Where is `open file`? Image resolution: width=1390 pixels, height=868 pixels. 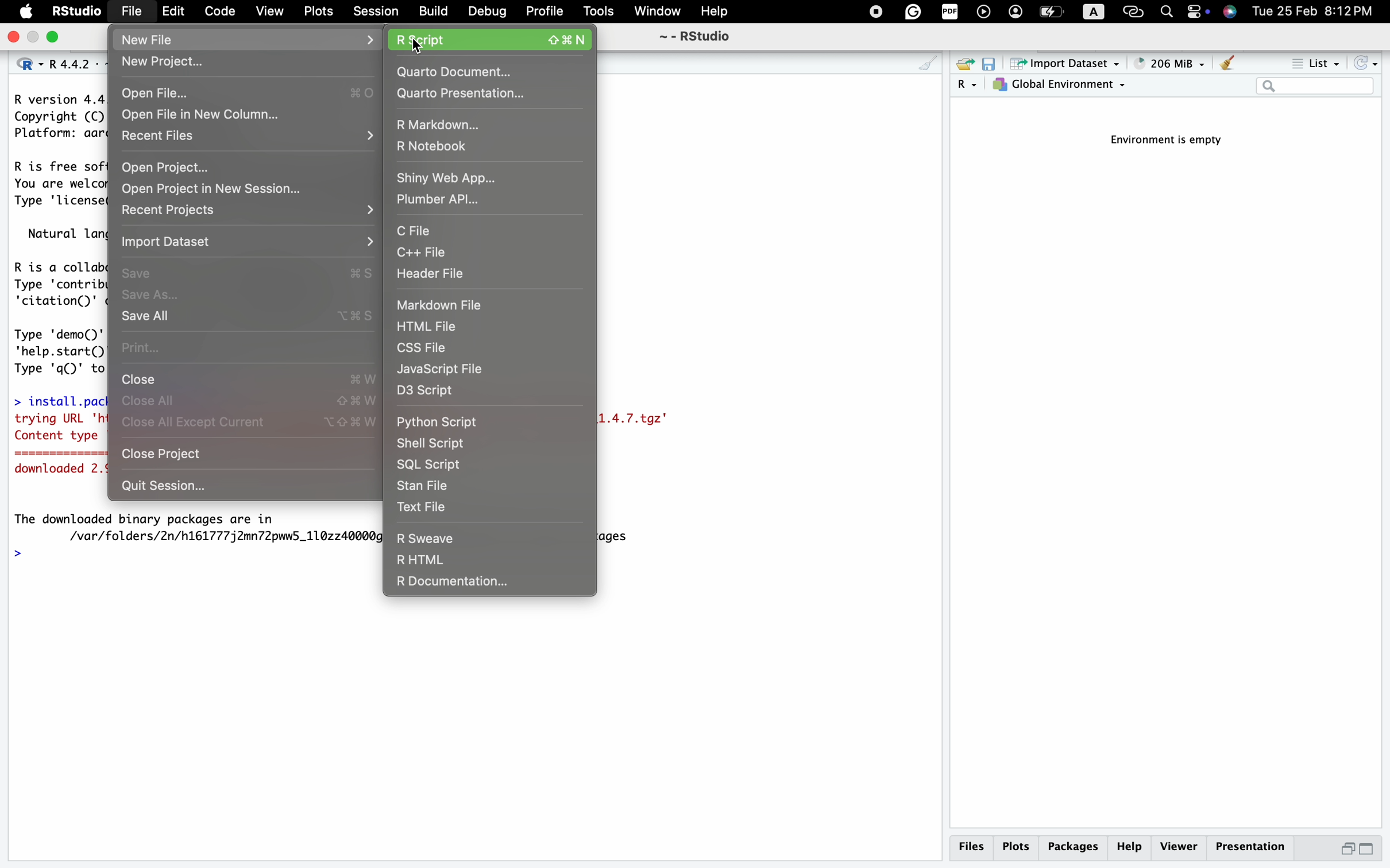
open file is located at coordinates (247, 91).